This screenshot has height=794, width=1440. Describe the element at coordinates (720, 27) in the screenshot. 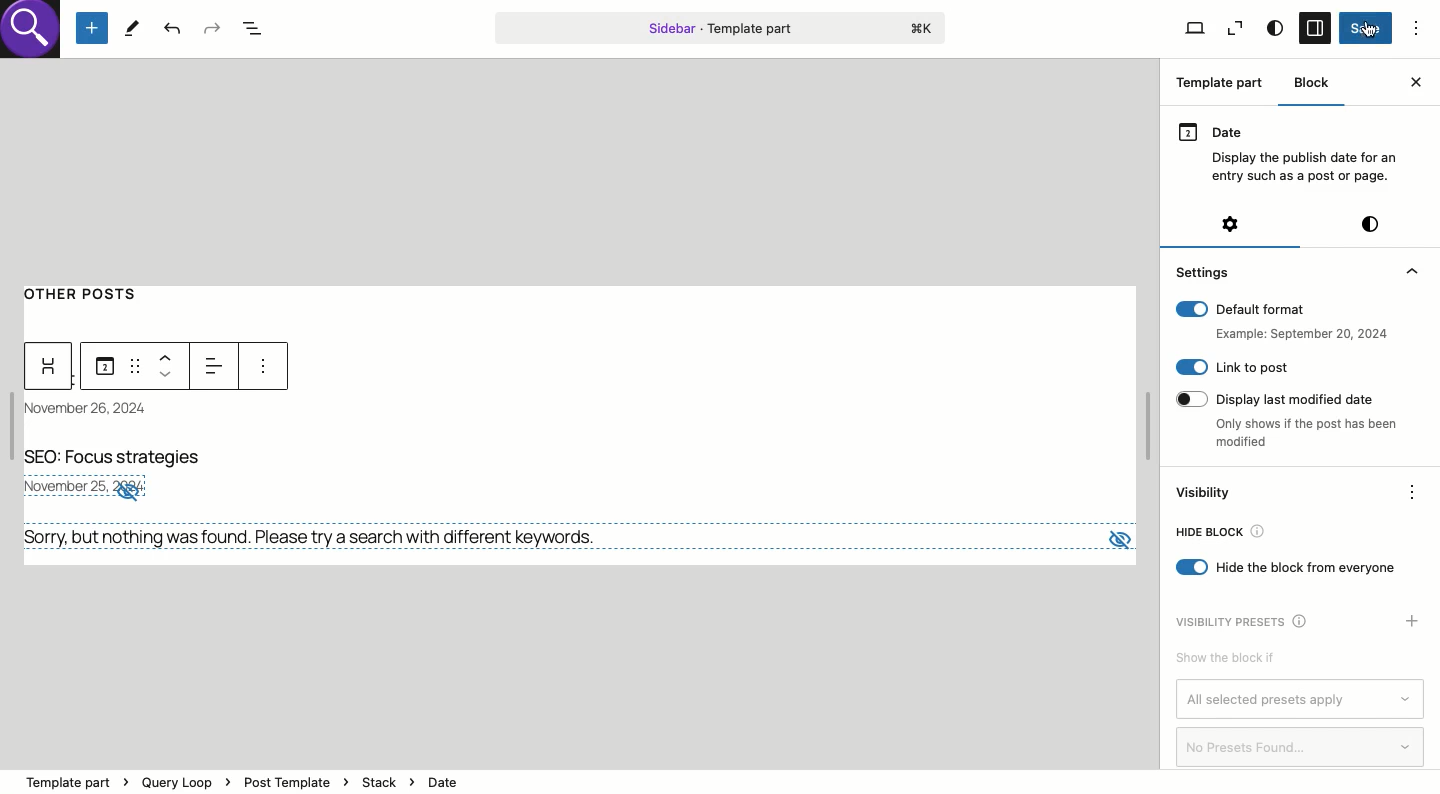

I see `Template part` at that location.